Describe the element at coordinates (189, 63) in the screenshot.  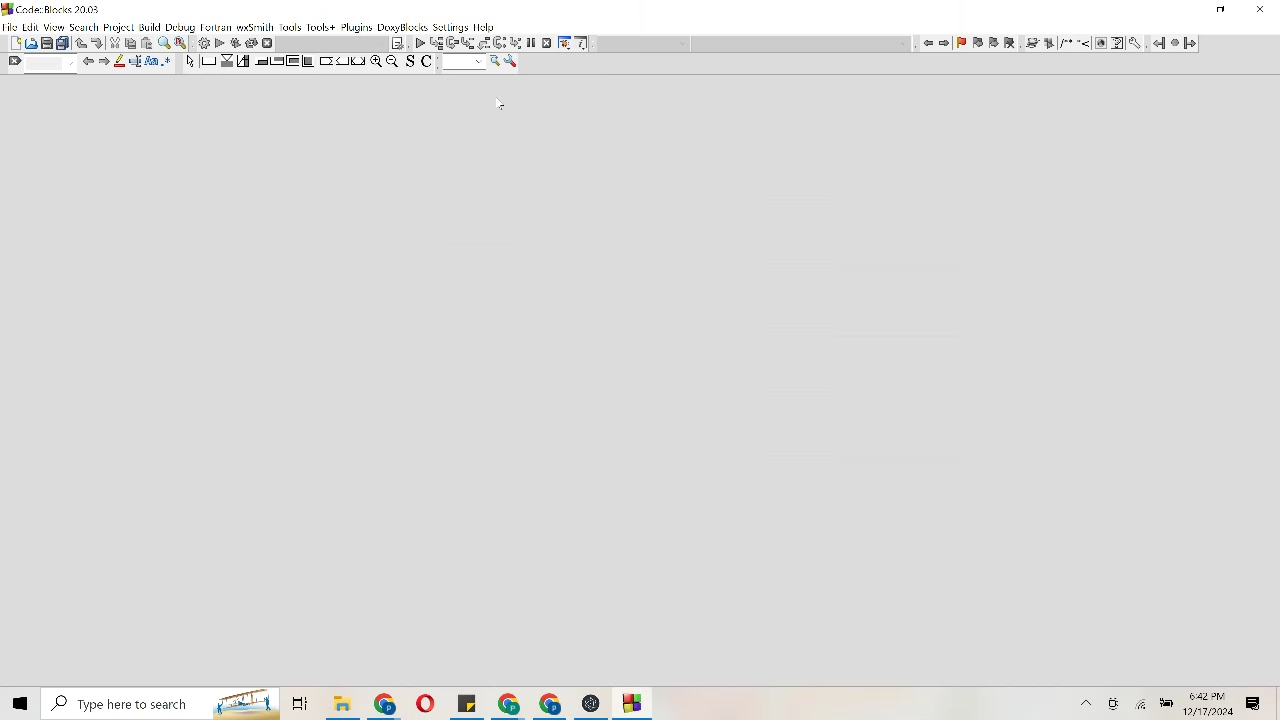
I see `Arrow` at that location.